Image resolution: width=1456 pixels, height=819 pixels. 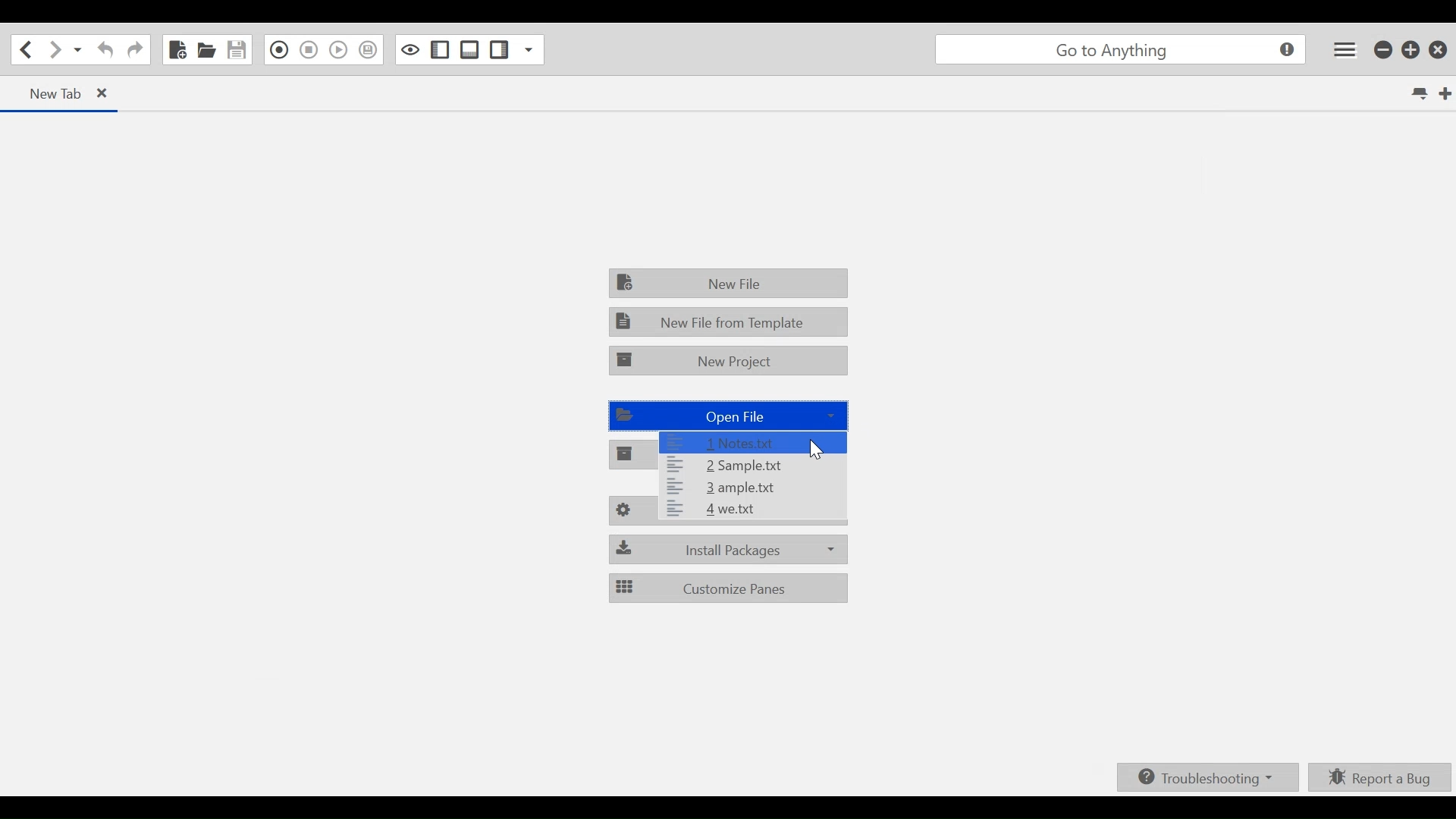 What do you see at coordinates (729, 550) in the screenshot?
I see `Install Packages` at bounding box center [729, 550].